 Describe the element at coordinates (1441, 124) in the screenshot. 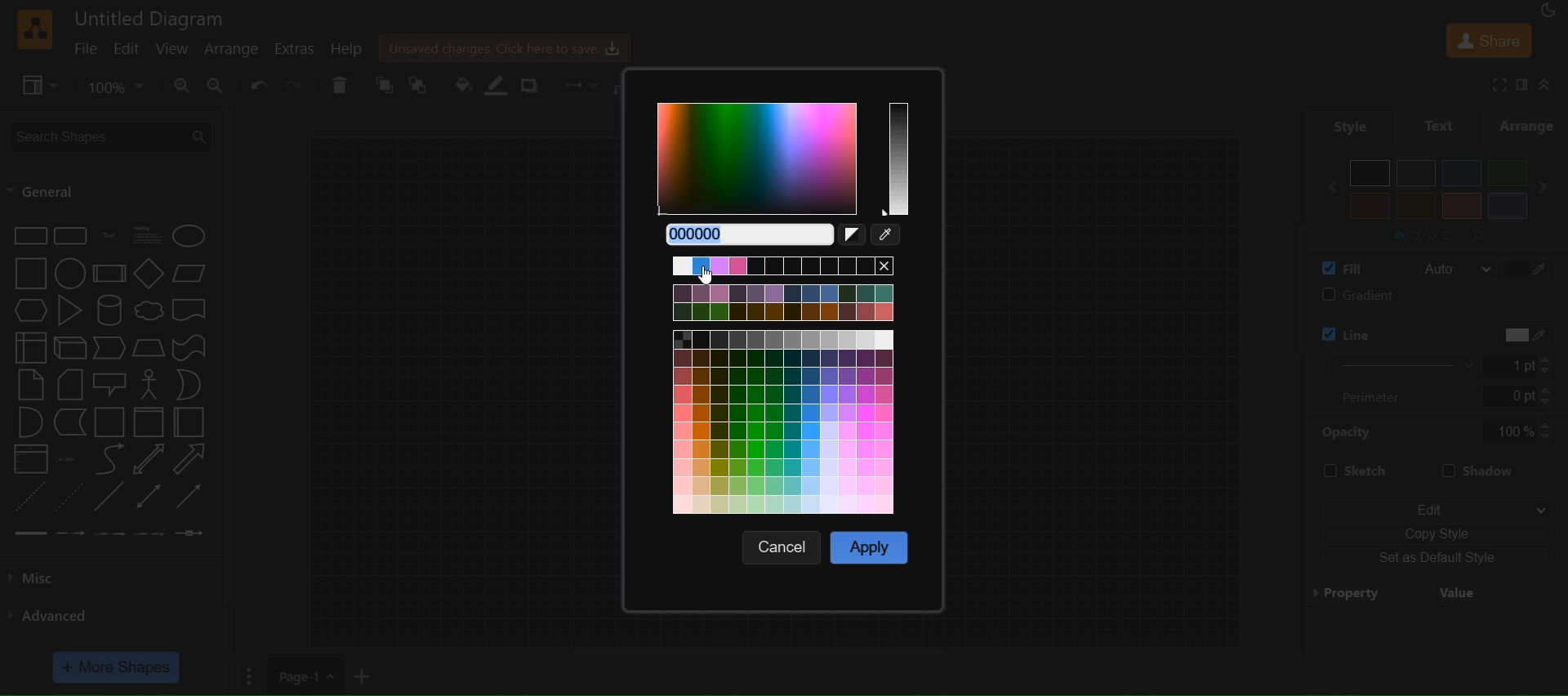

I see `text` at that location.